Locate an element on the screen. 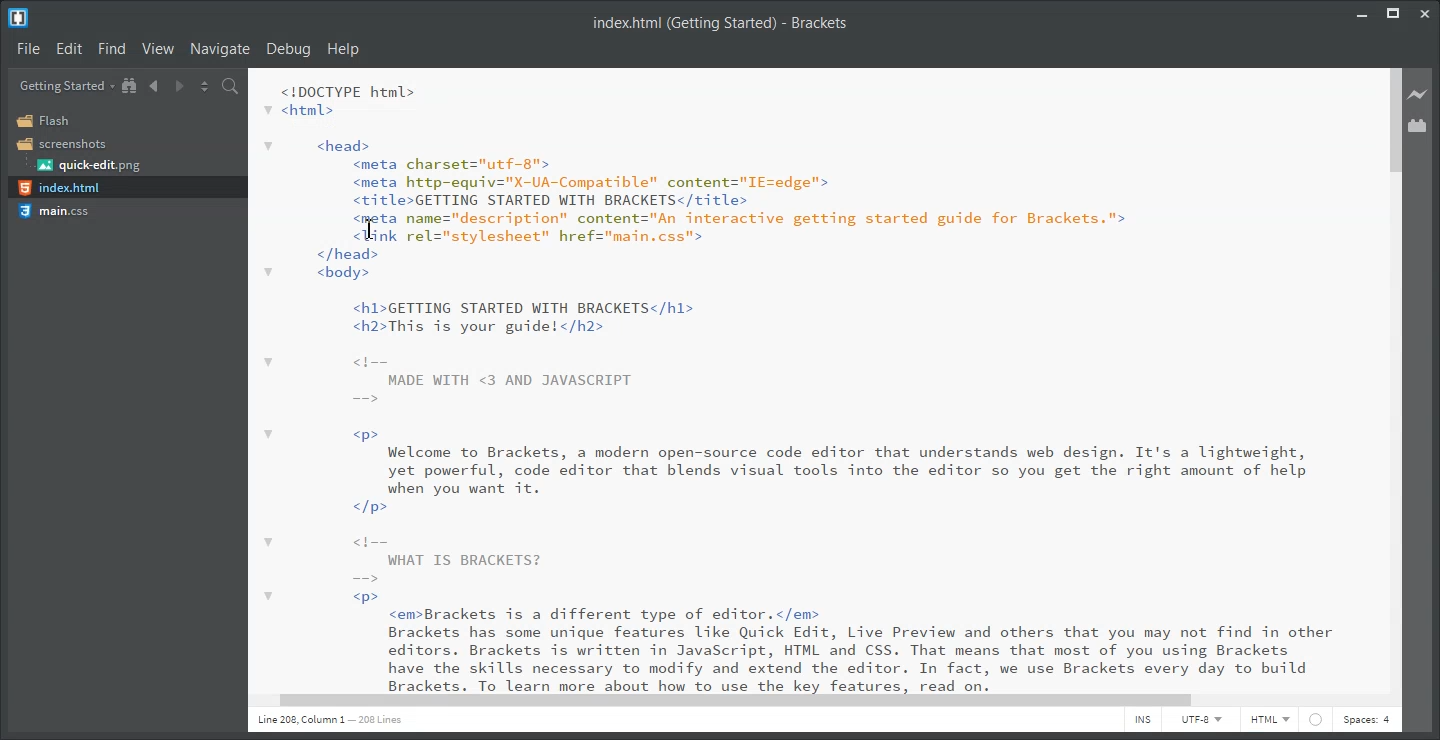 The height and width of the screenshot is (740, 1440). Help is located at coordinates (346, 49).